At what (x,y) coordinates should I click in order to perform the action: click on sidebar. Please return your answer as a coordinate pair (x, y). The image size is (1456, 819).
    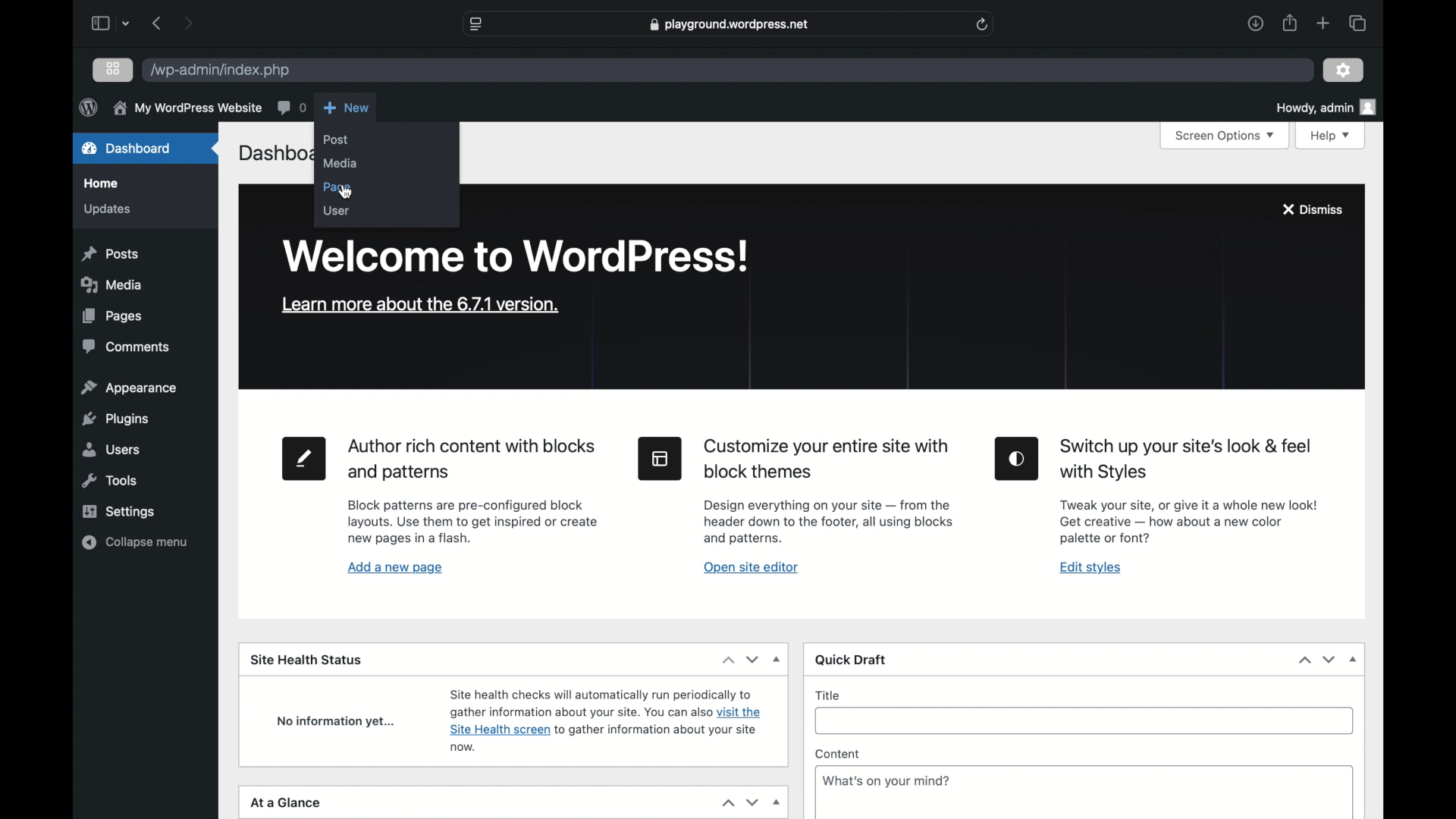
    Looking at the image, I should click on (99, 23).